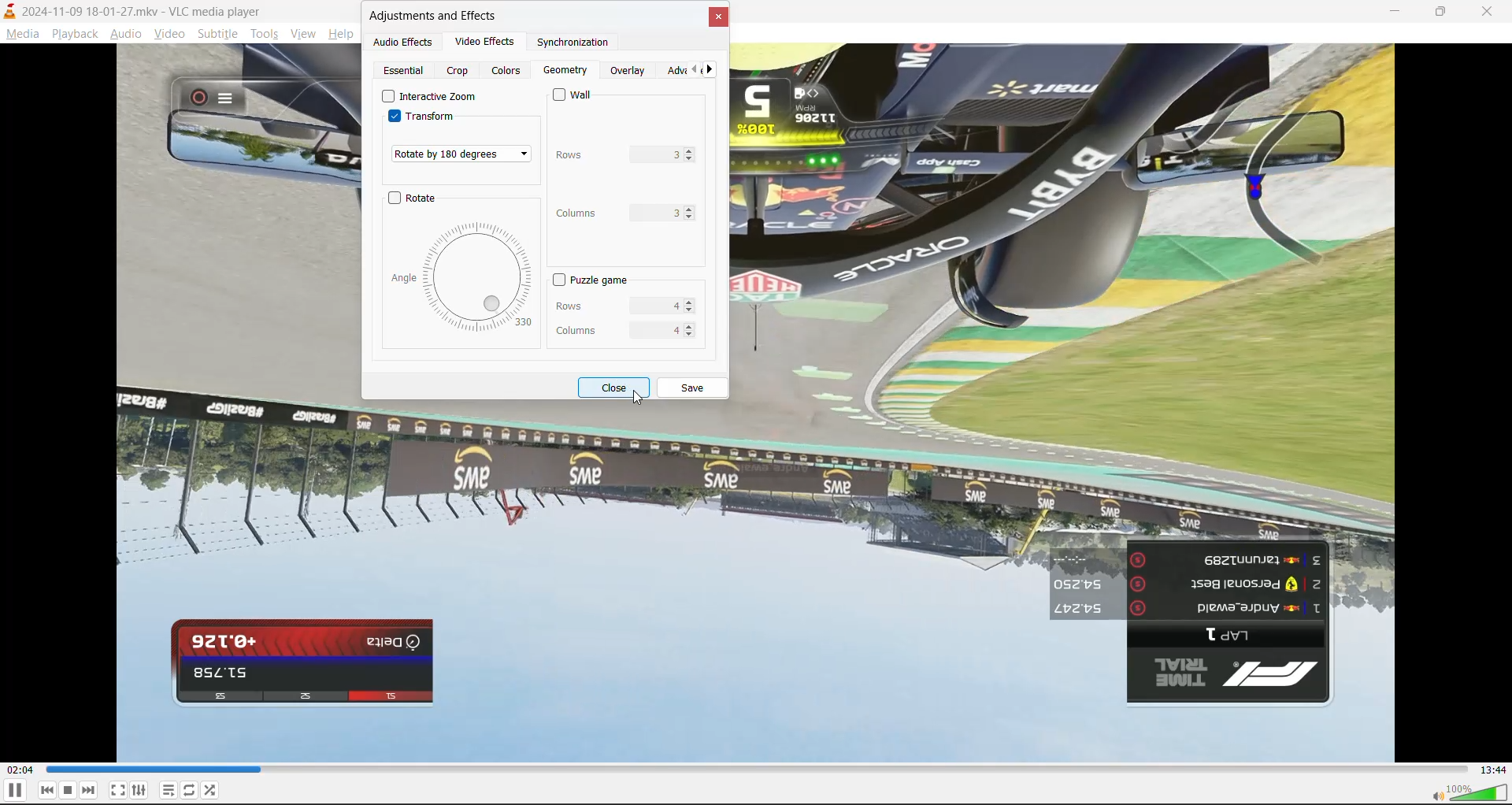  What do you see at coordinates (69, 790) in the screenshot?
I see `stop` at bounding box center [69, 790].